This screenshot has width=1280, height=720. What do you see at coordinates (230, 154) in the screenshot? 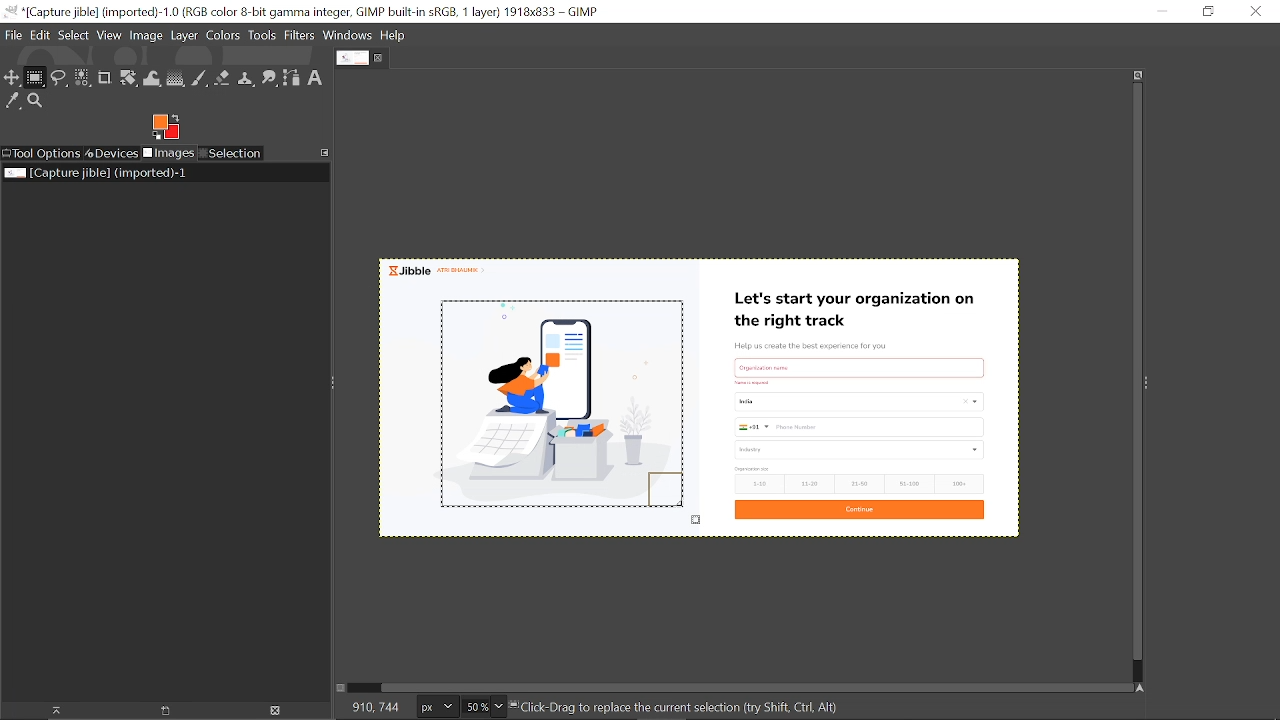
I see `Selection` at bounding box center [230, 154].